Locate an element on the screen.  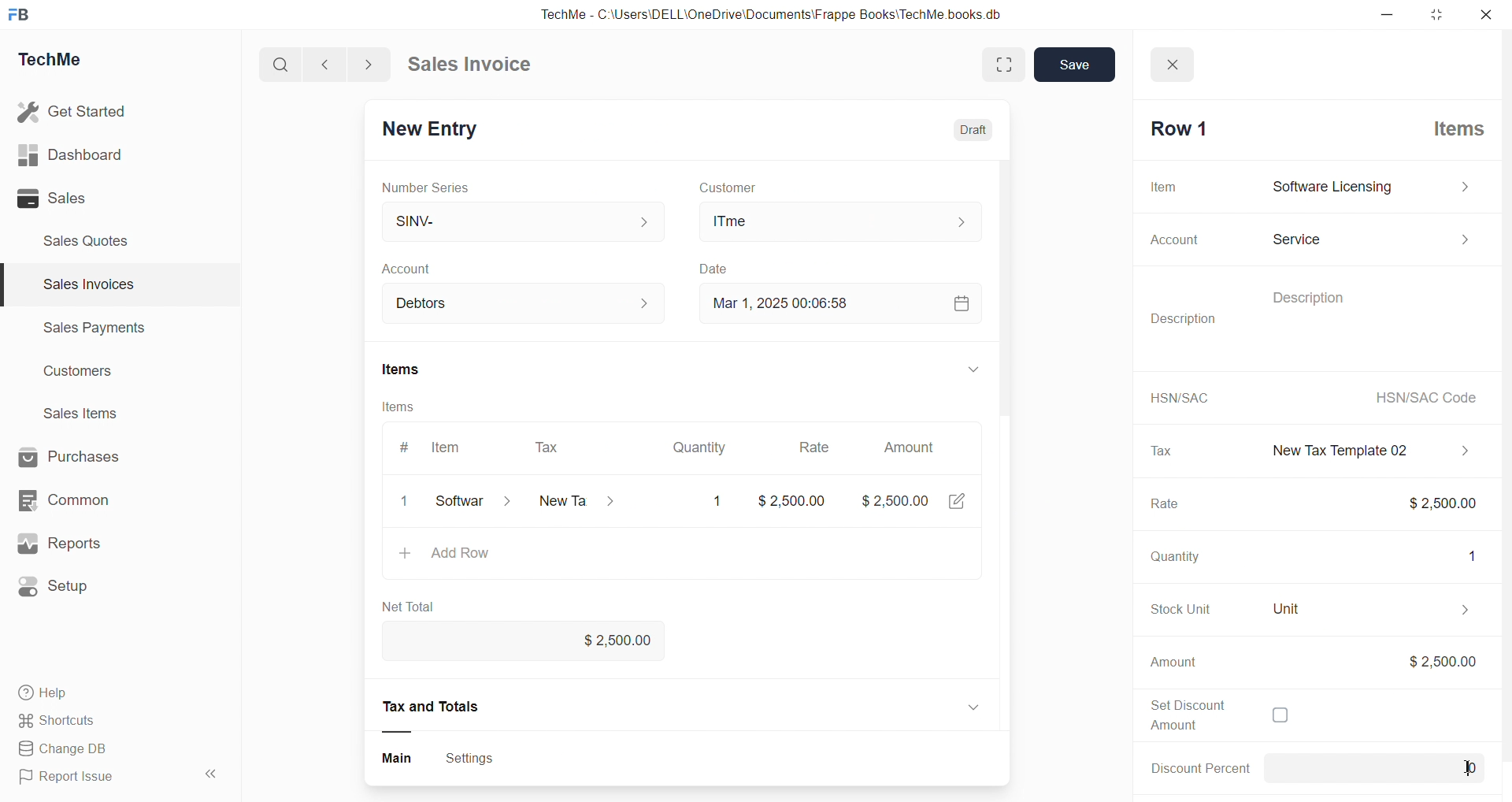
 Report Issue is located at coordinates (73, 779).